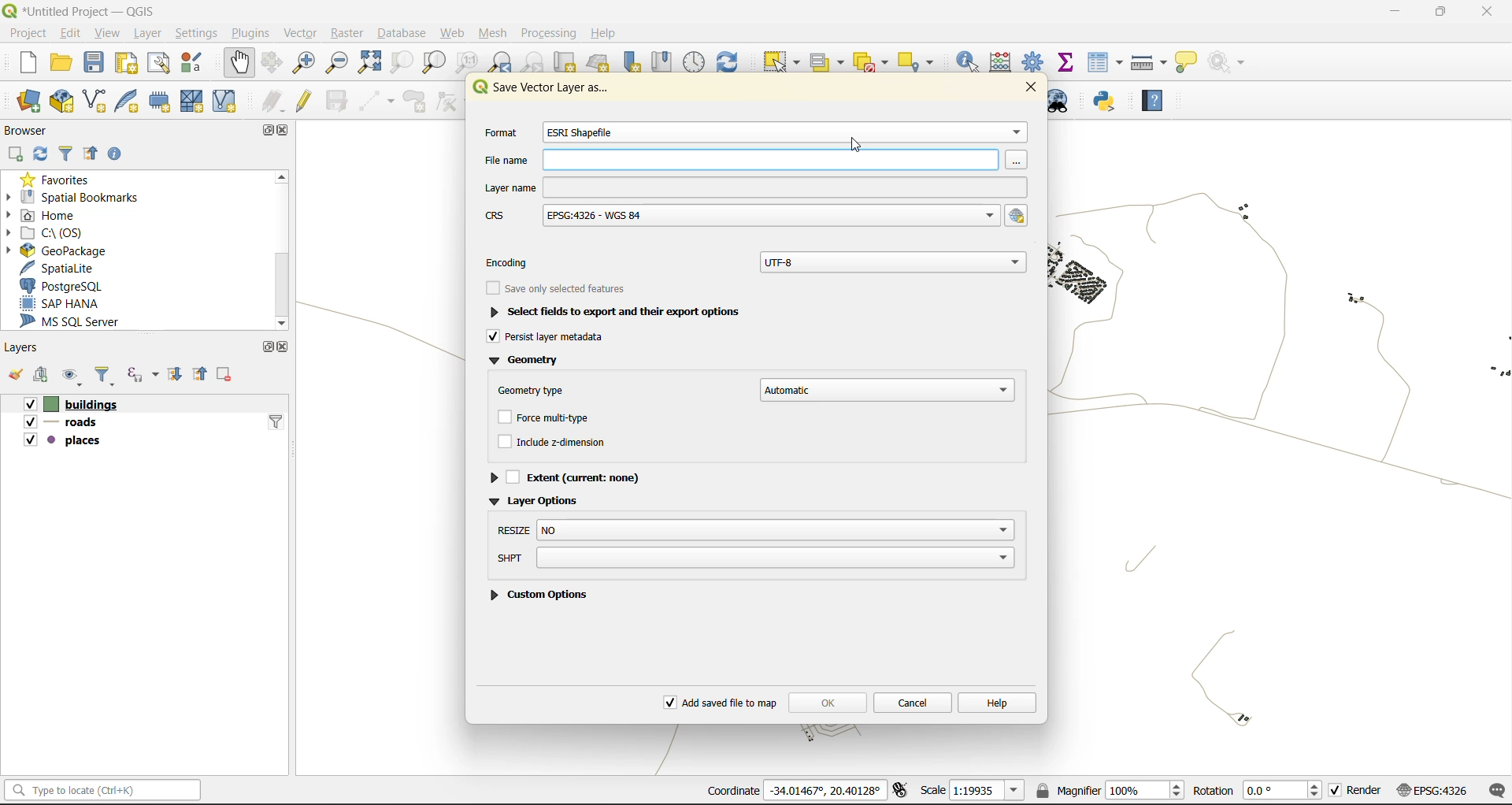 The height and width of the screenshot is (805, 1512). I want to click on statistical summary, so click(1068, 62).